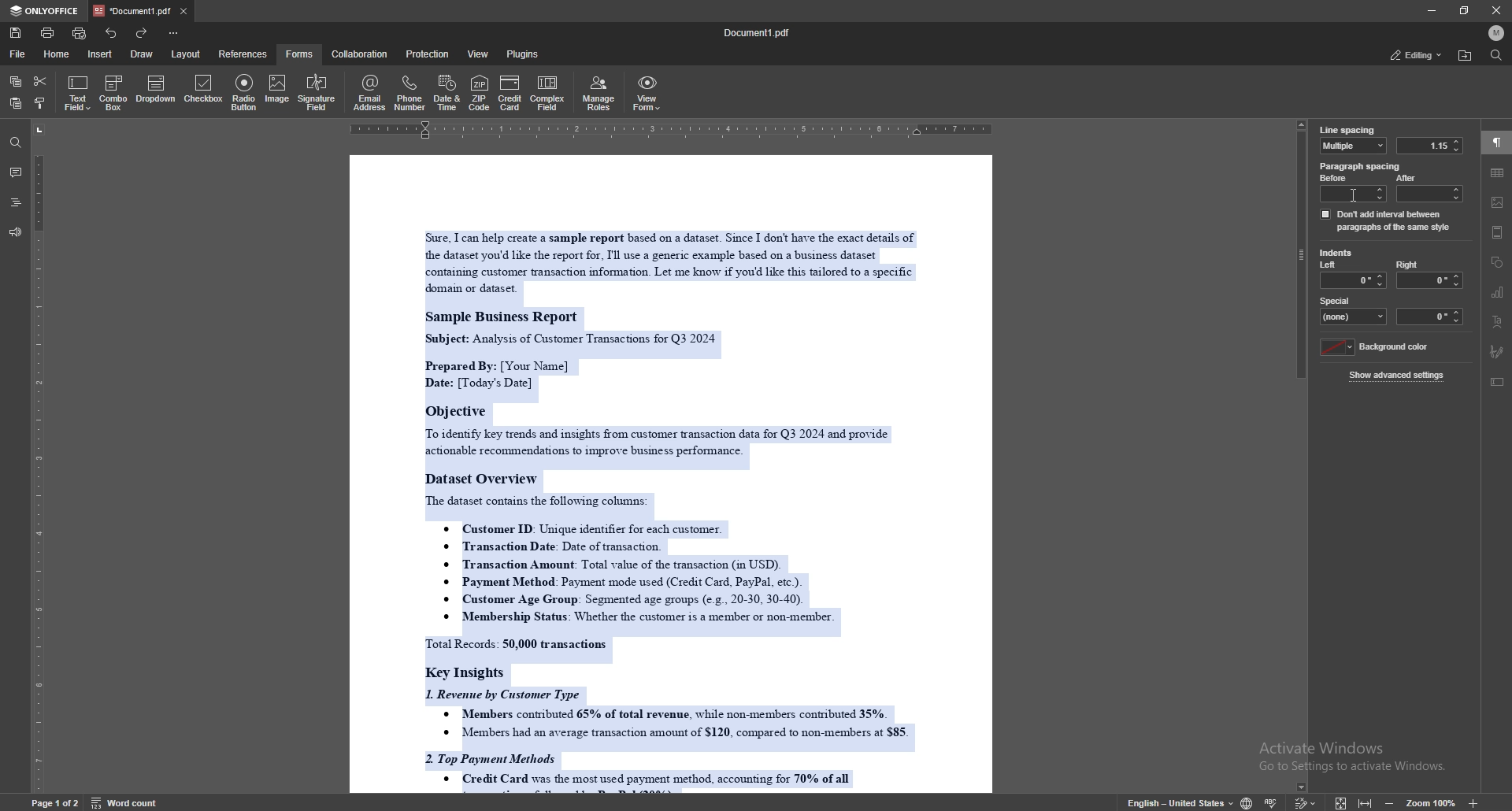  I want to click on checkbox, so click(205, 91).